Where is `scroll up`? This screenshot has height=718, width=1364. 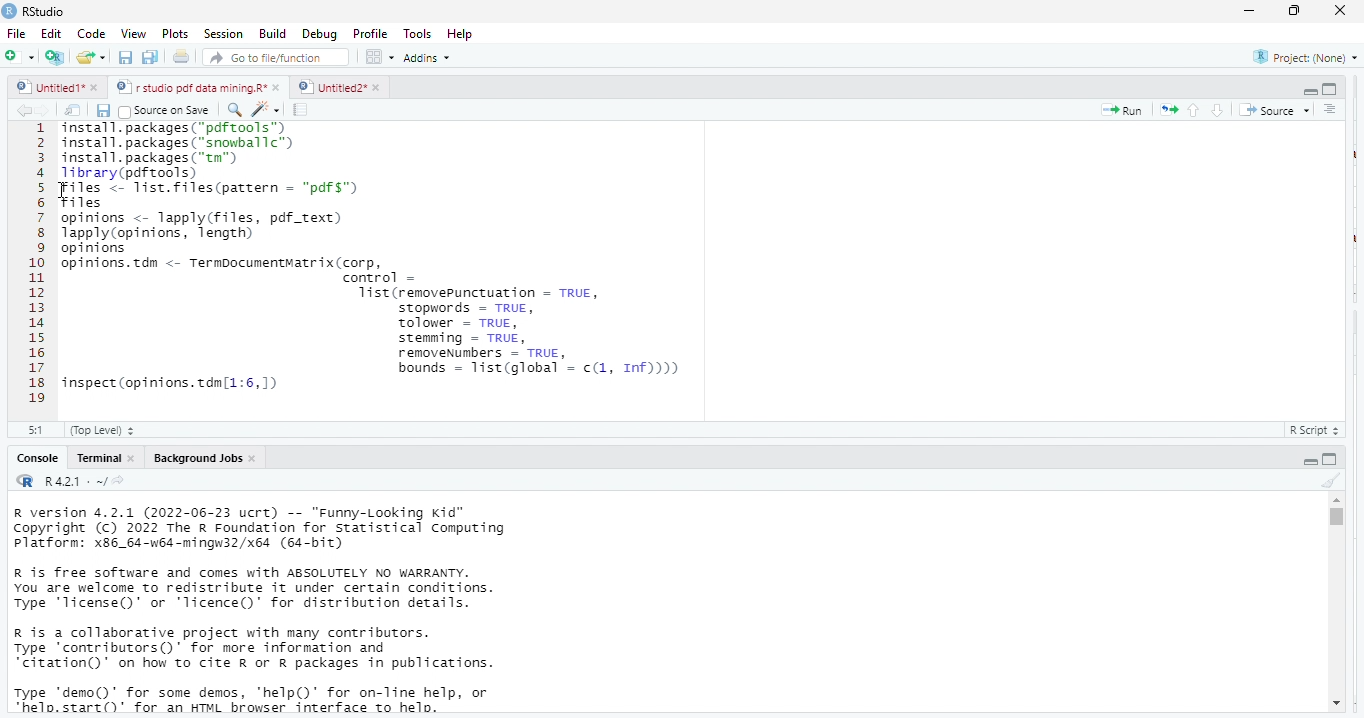 scroll up is located at coordinates (1336, 500).